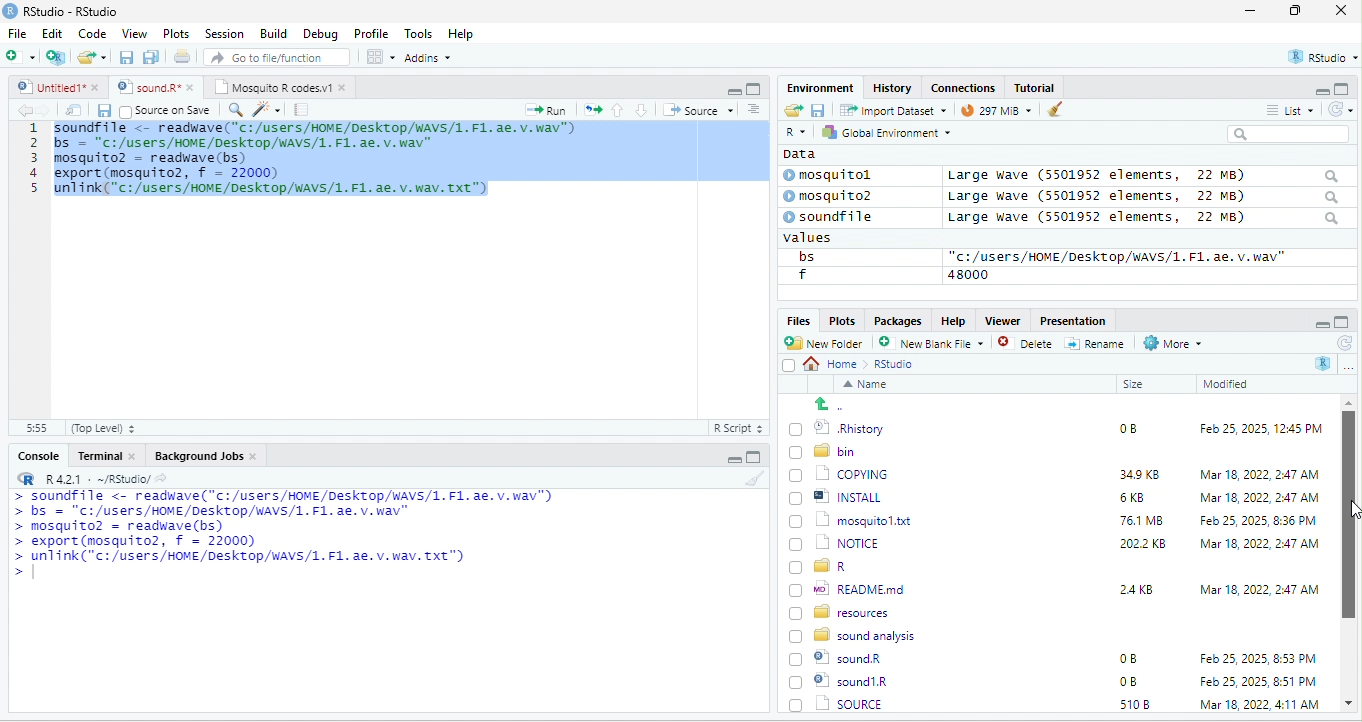 The height and width of the screenshot is (722, 1362). What do you see at coordinates (969, 274) in the screenshot?
I see `48000` at bounding box center [969, 274].